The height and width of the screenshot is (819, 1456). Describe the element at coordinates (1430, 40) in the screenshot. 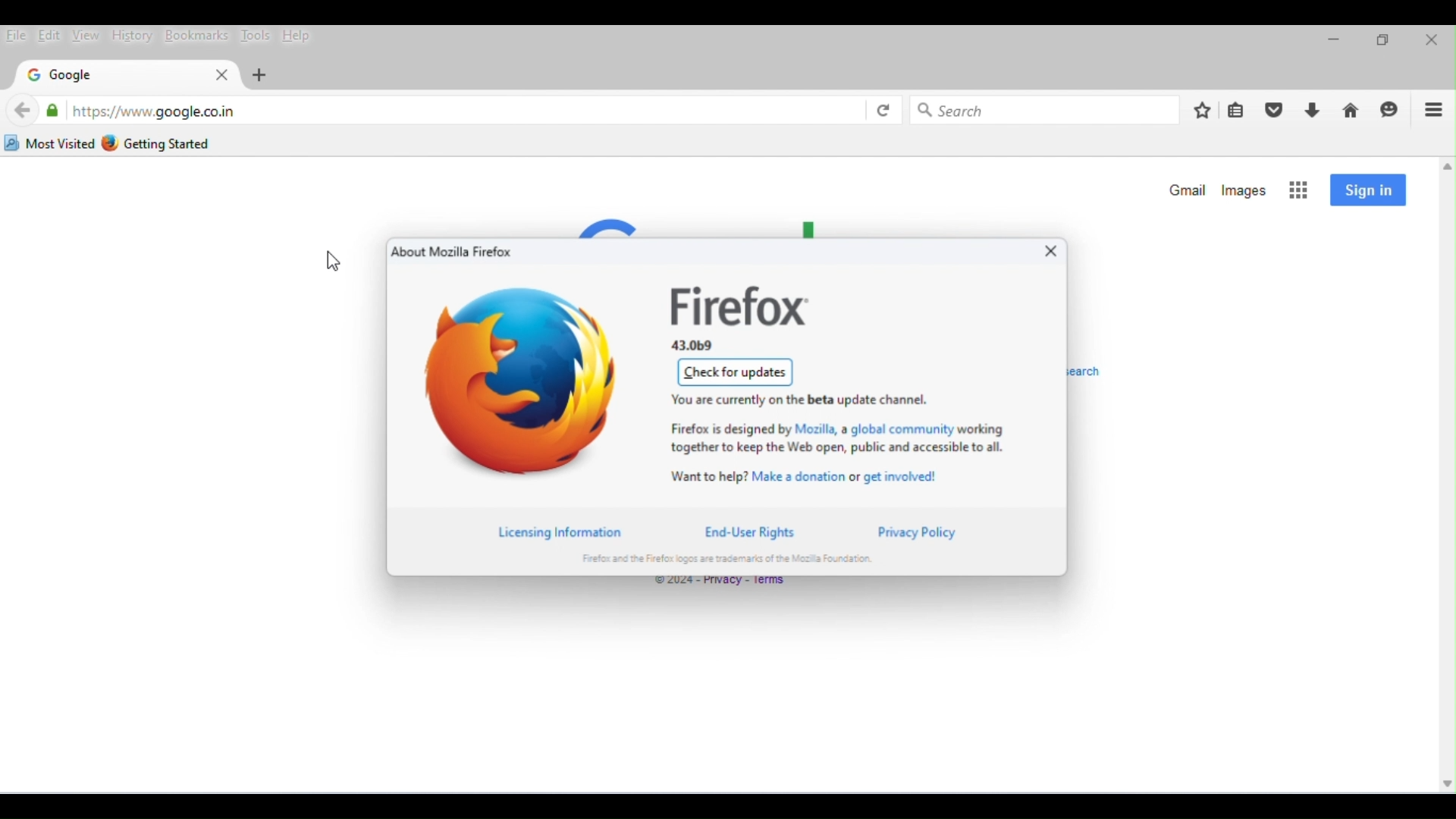

I see `close` at that location.